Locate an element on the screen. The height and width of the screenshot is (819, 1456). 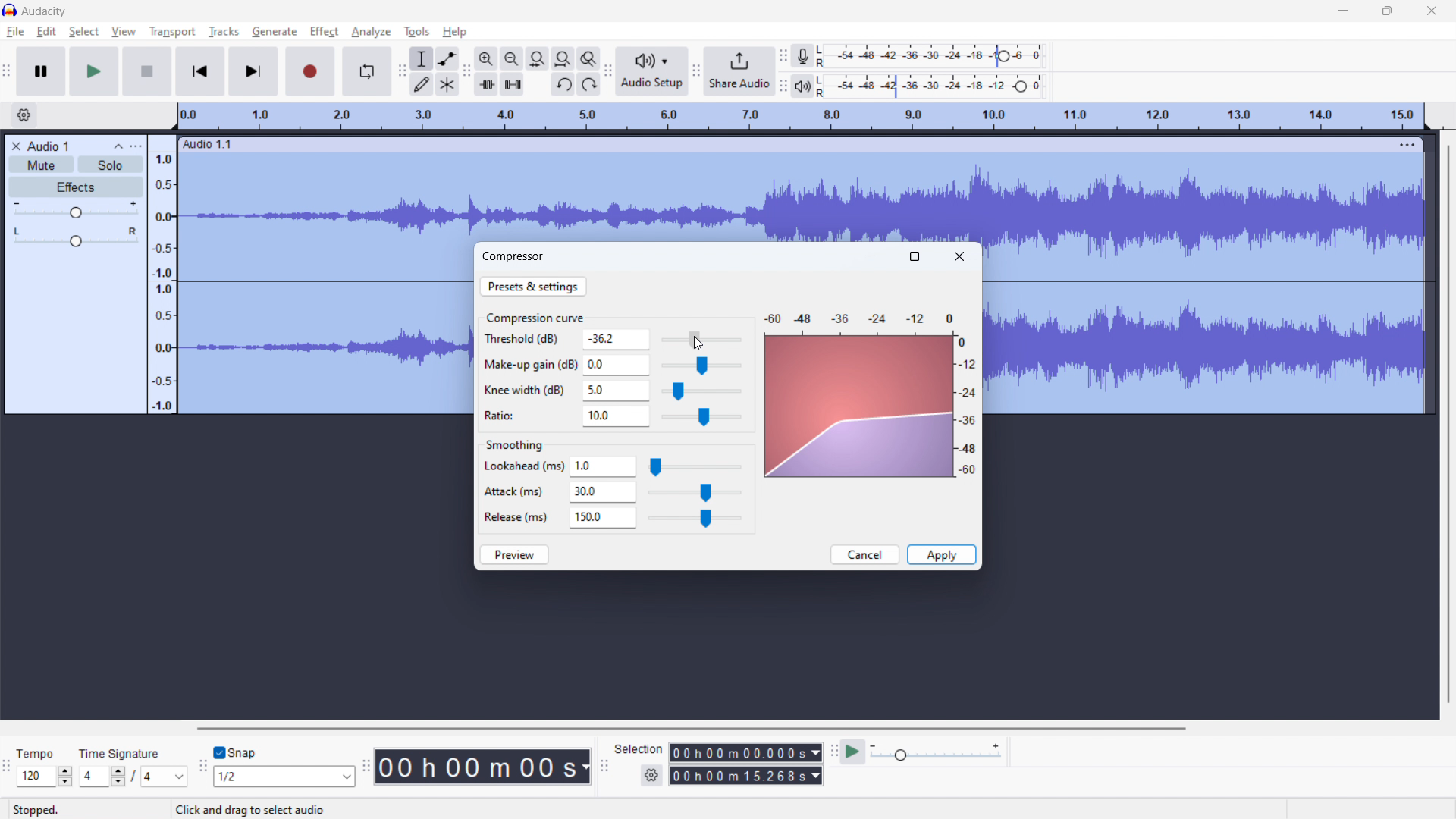
attack slider is located at coordinates (695, 494).